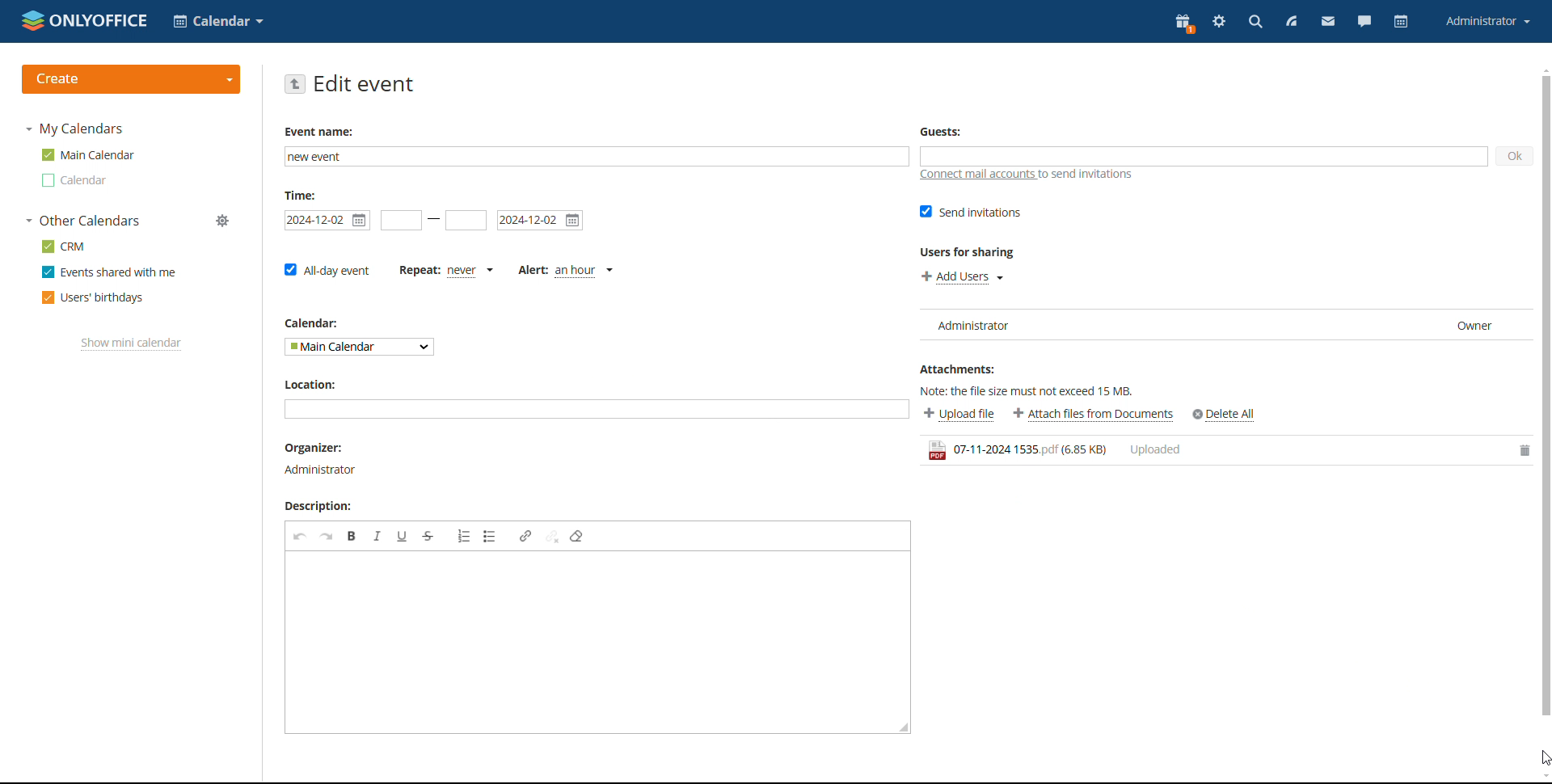 The height and width of the screenshot is (784, 1552). What do you see at coordinates (428, 537) in the screenshot?
I see `strikethrough` at bounding box center [428, 537].